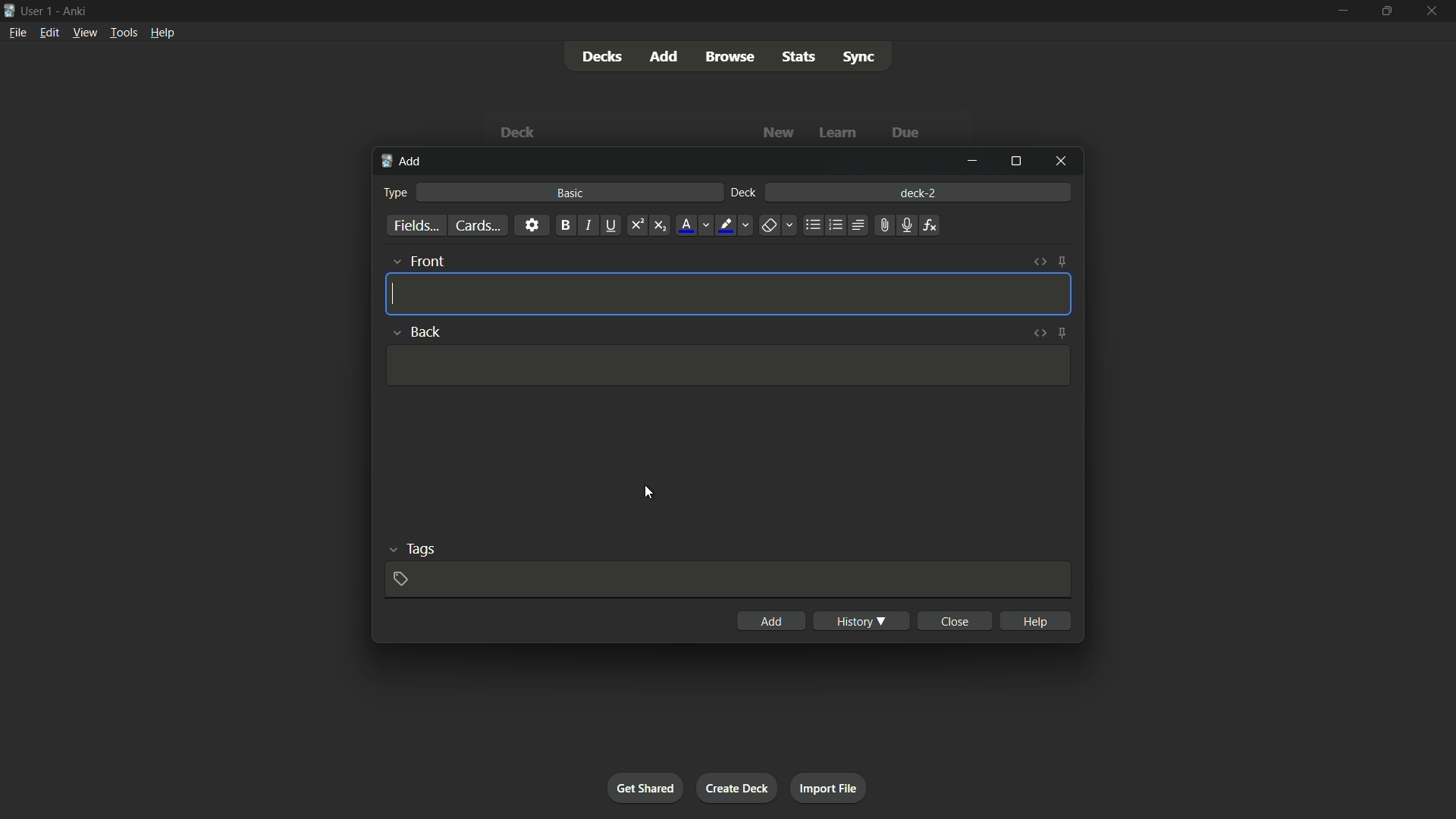 This screenshot has width=1456, height=819. Describe the element at coordinates (124, 33) in the screenshot. I see `tools menu` at that location.